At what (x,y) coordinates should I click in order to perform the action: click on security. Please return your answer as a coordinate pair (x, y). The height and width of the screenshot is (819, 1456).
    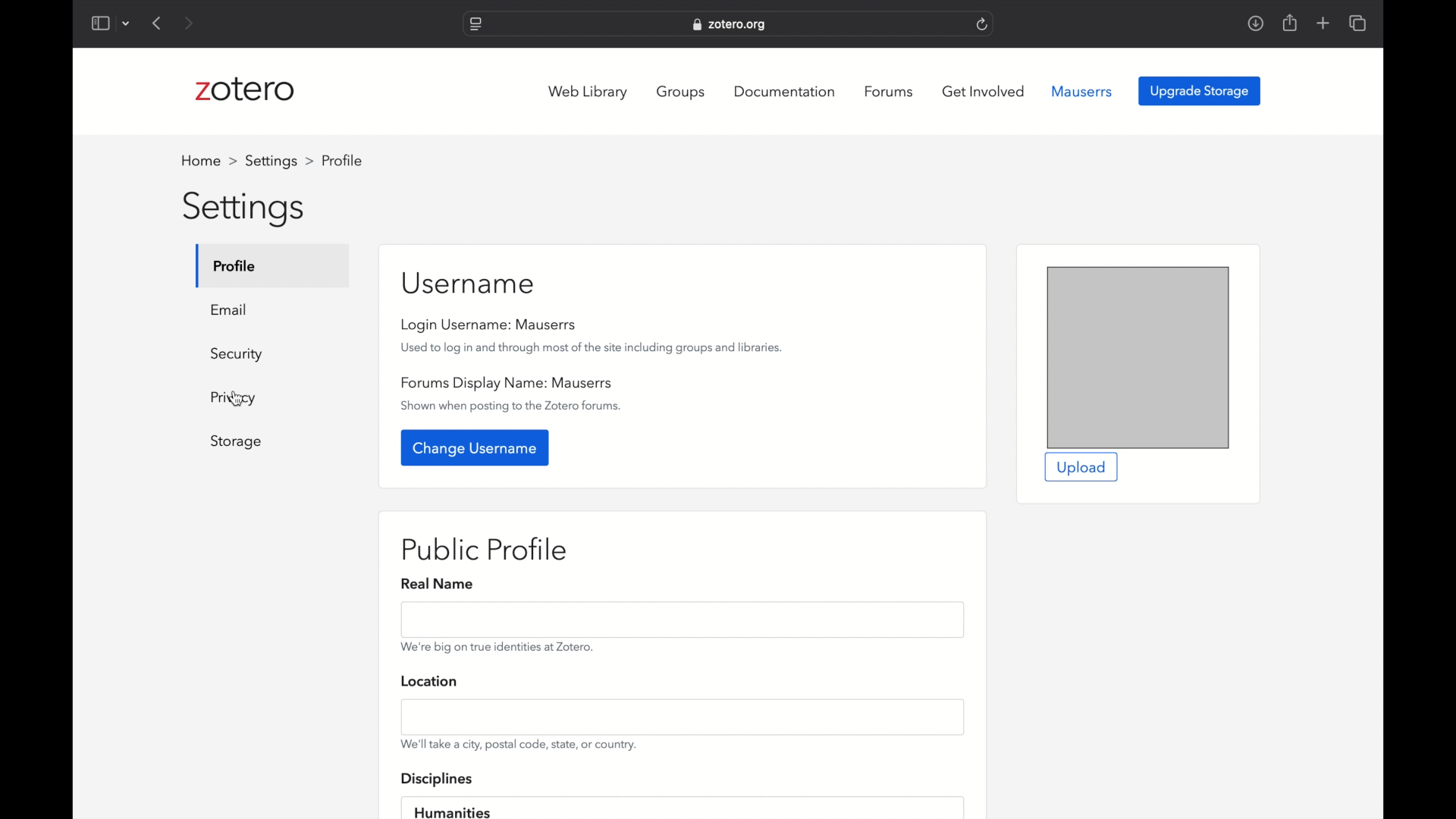
    Looking at the image, I should click on (237, 355).